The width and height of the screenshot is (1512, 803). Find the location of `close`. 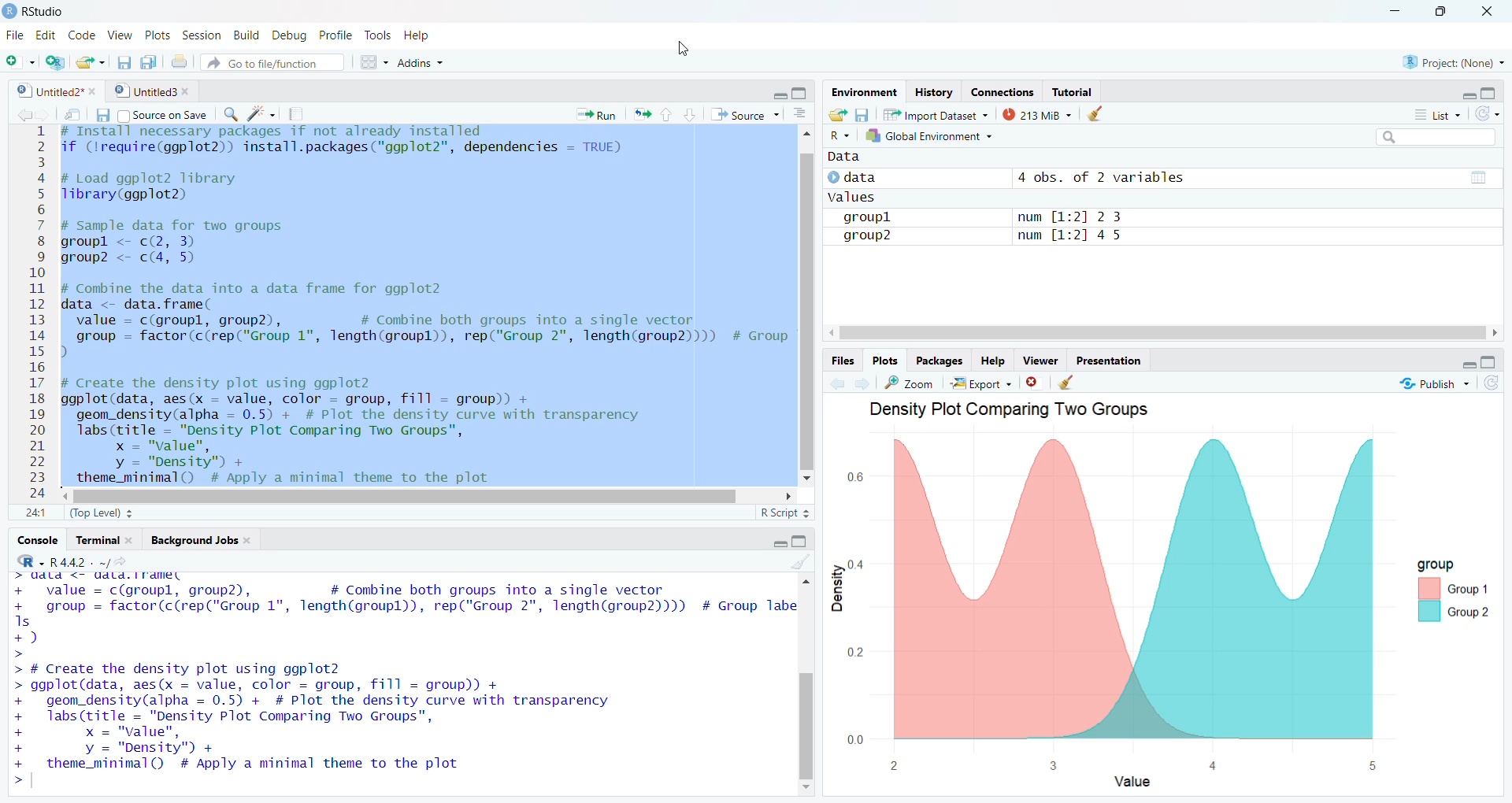

close is located at coordinates (1489, 12).